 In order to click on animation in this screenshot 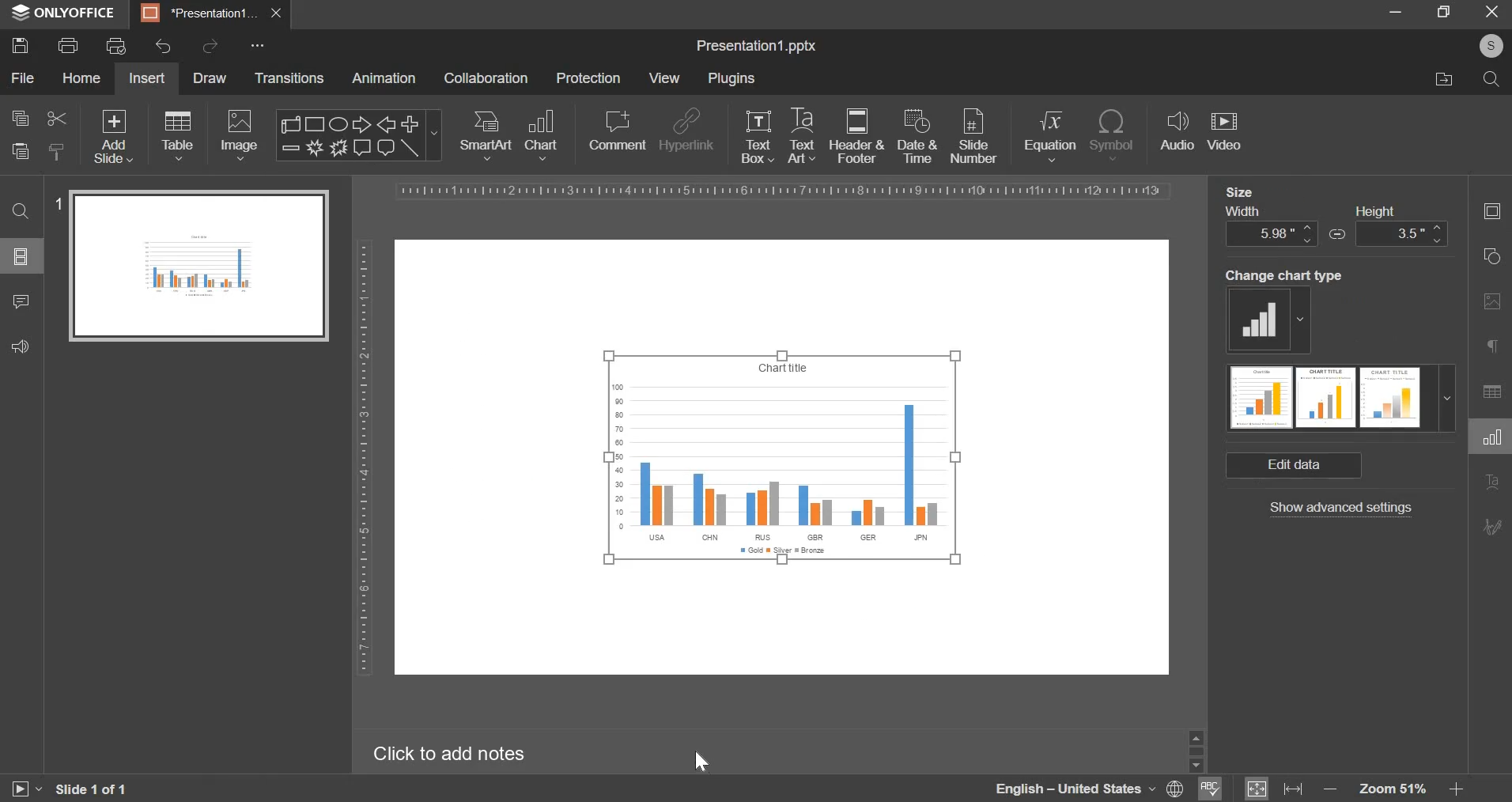, I will do `click(390, 78)`.